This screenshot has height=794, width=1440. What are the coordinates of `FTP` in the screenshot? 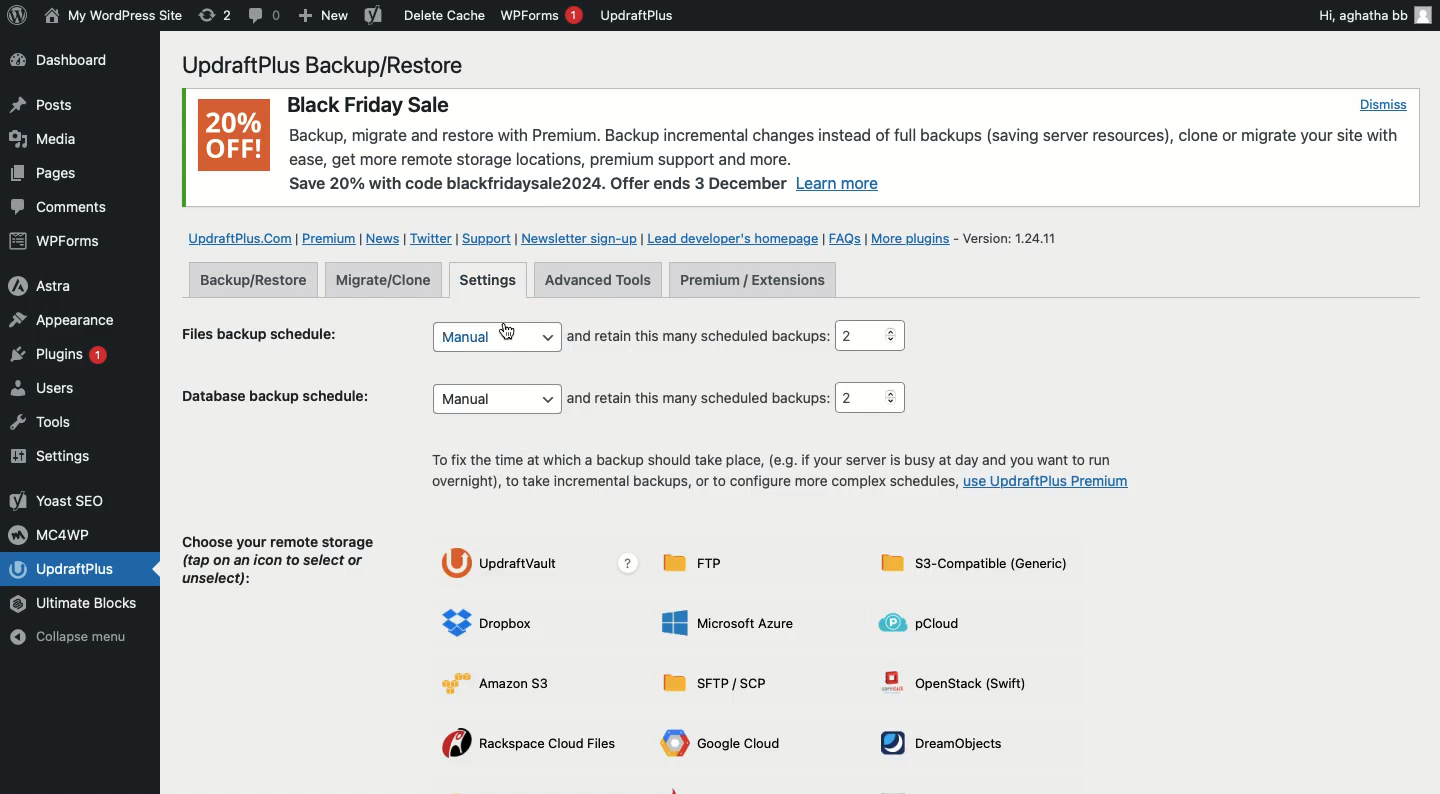 It's located at (701, 563).